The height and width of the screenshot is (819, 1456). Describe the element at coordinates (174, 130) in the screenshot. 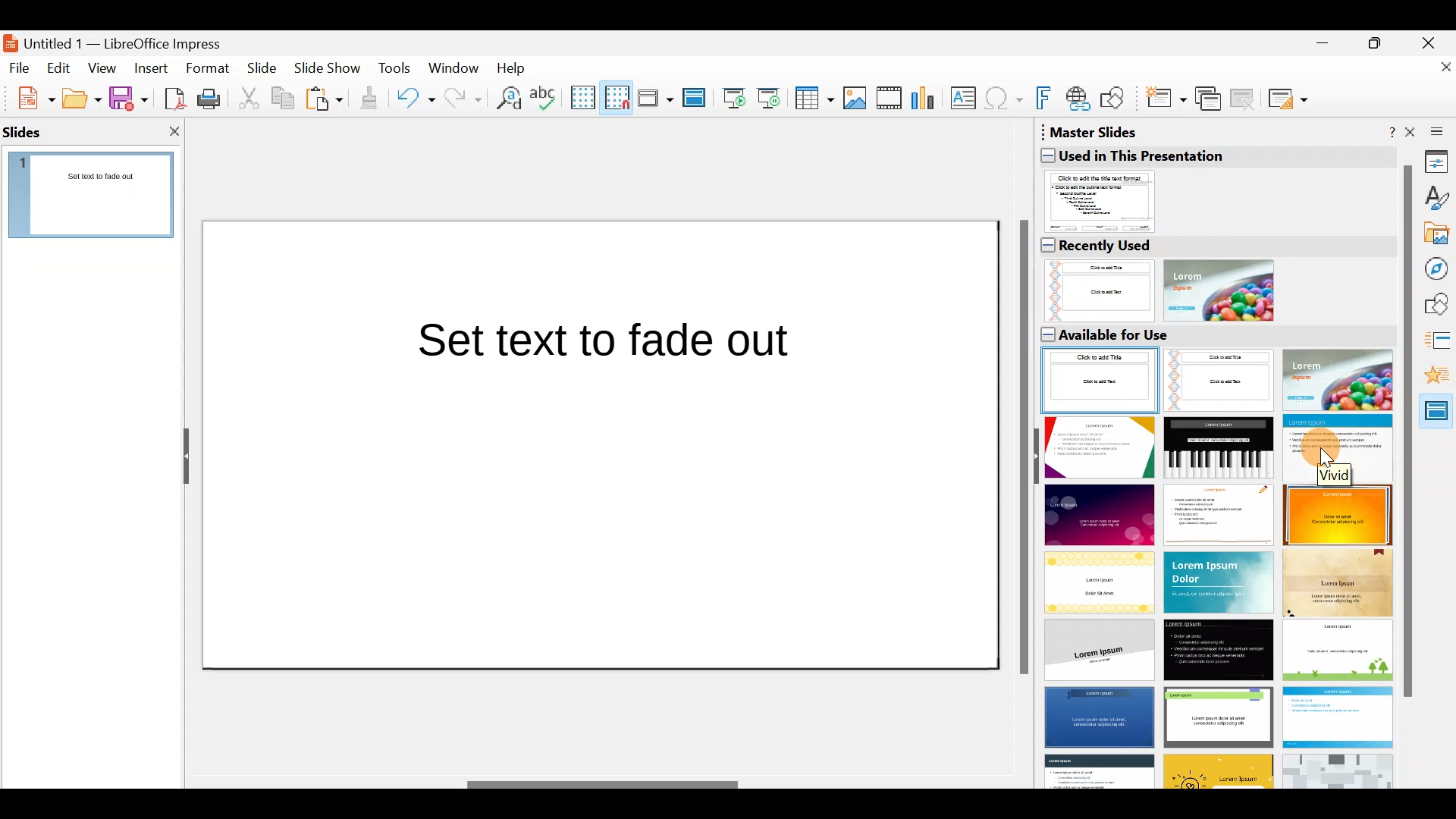

I see `close slide` at that location.